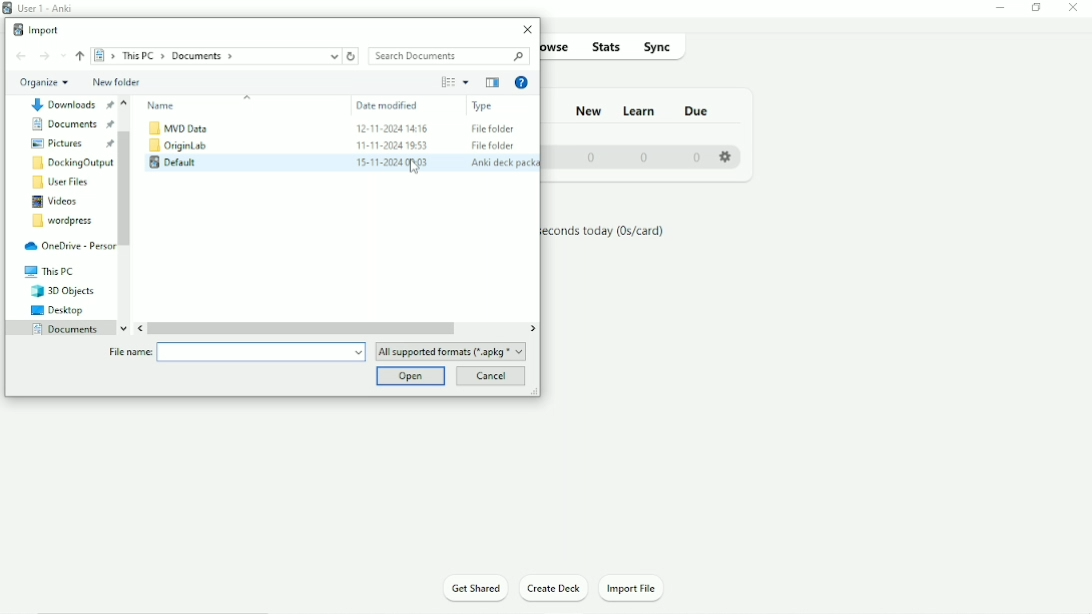 The image size is (1092, 614). I want to click on More Options, so click(467, 82).